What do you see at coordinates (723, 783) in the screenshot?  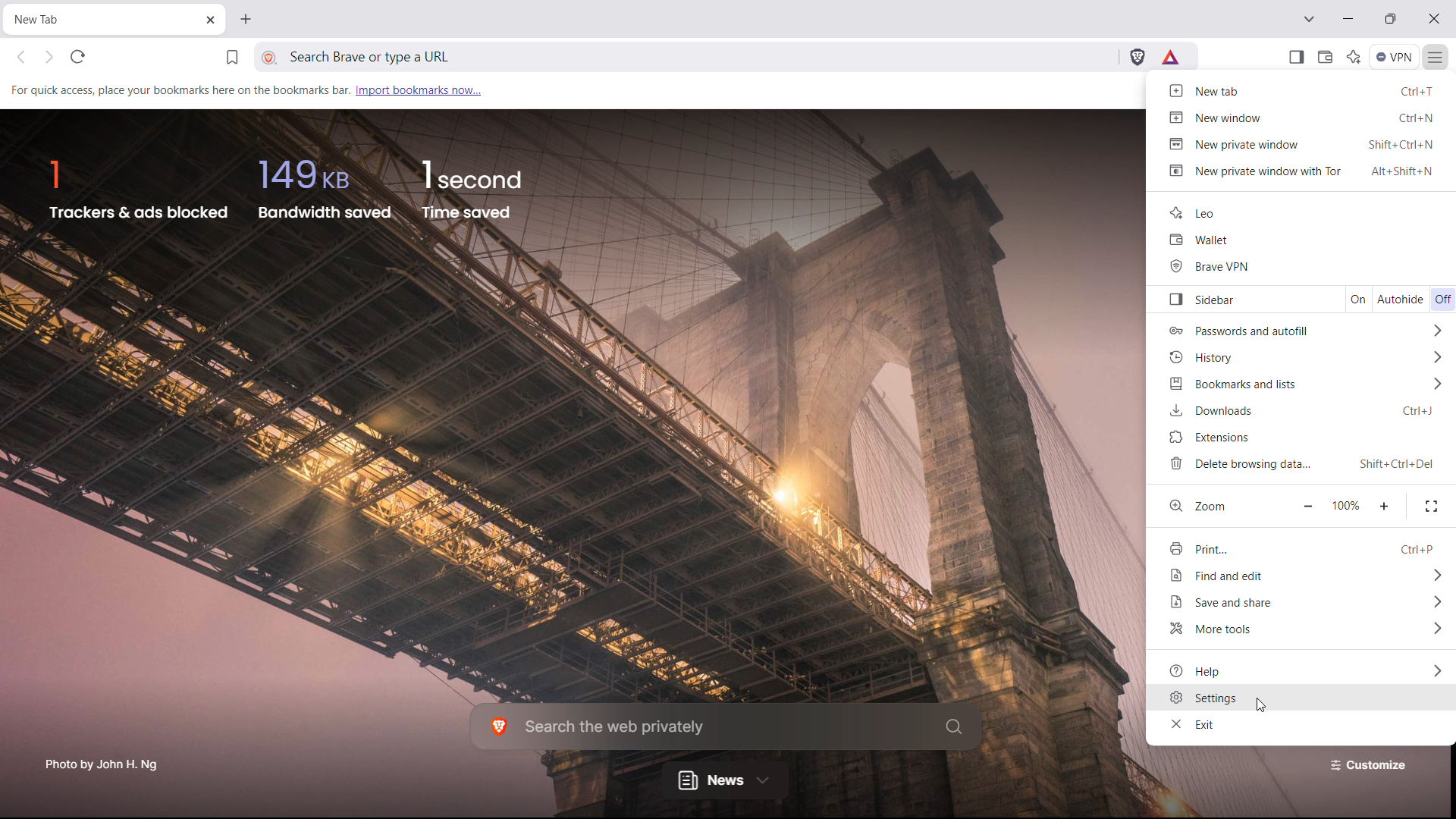 I see `news` at bounding box center [723, 783].